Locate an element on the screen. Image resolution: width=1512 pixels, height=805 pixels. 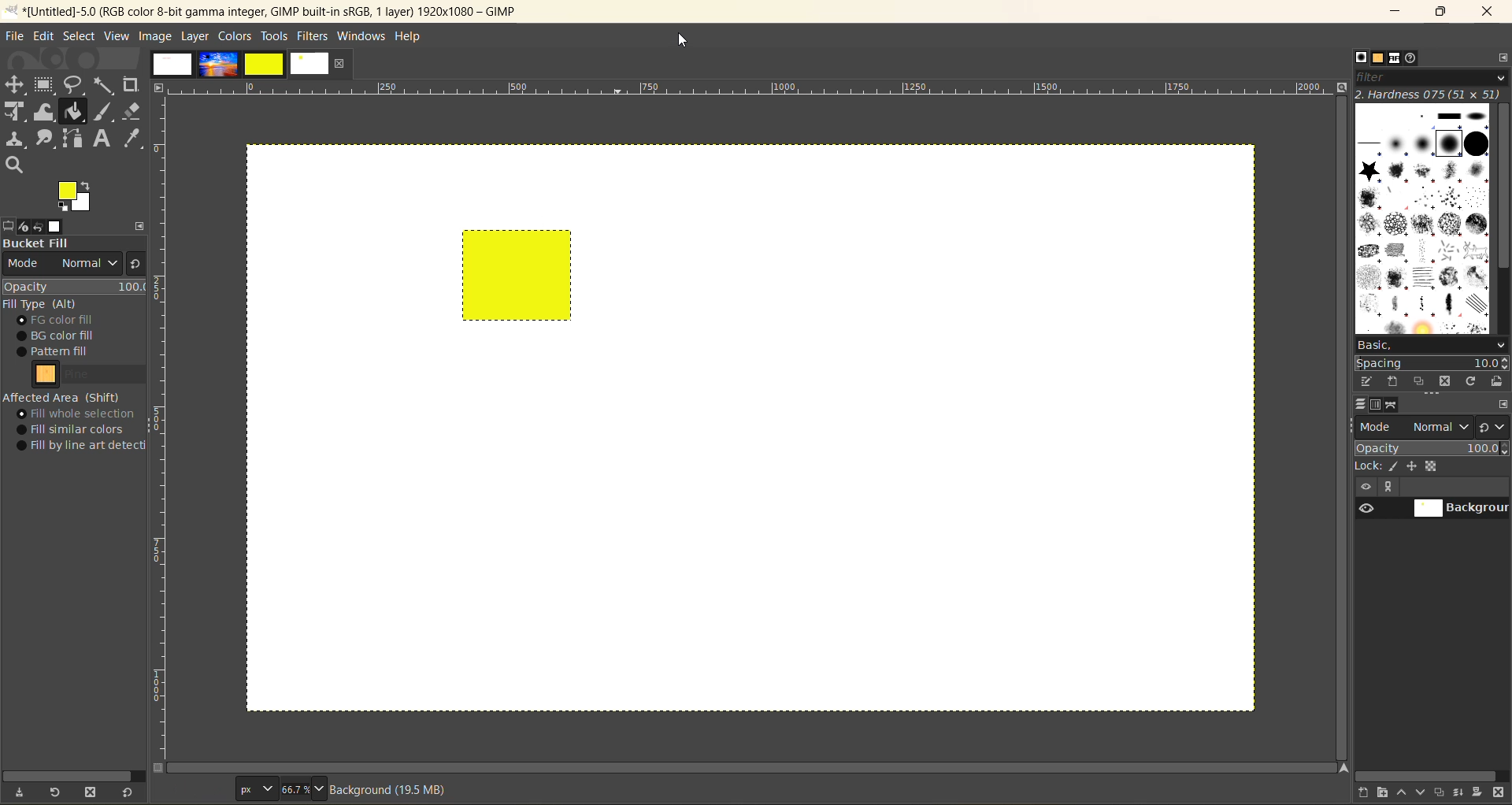
lock pixel, position, alpha is located at coordinates (1432, 469).